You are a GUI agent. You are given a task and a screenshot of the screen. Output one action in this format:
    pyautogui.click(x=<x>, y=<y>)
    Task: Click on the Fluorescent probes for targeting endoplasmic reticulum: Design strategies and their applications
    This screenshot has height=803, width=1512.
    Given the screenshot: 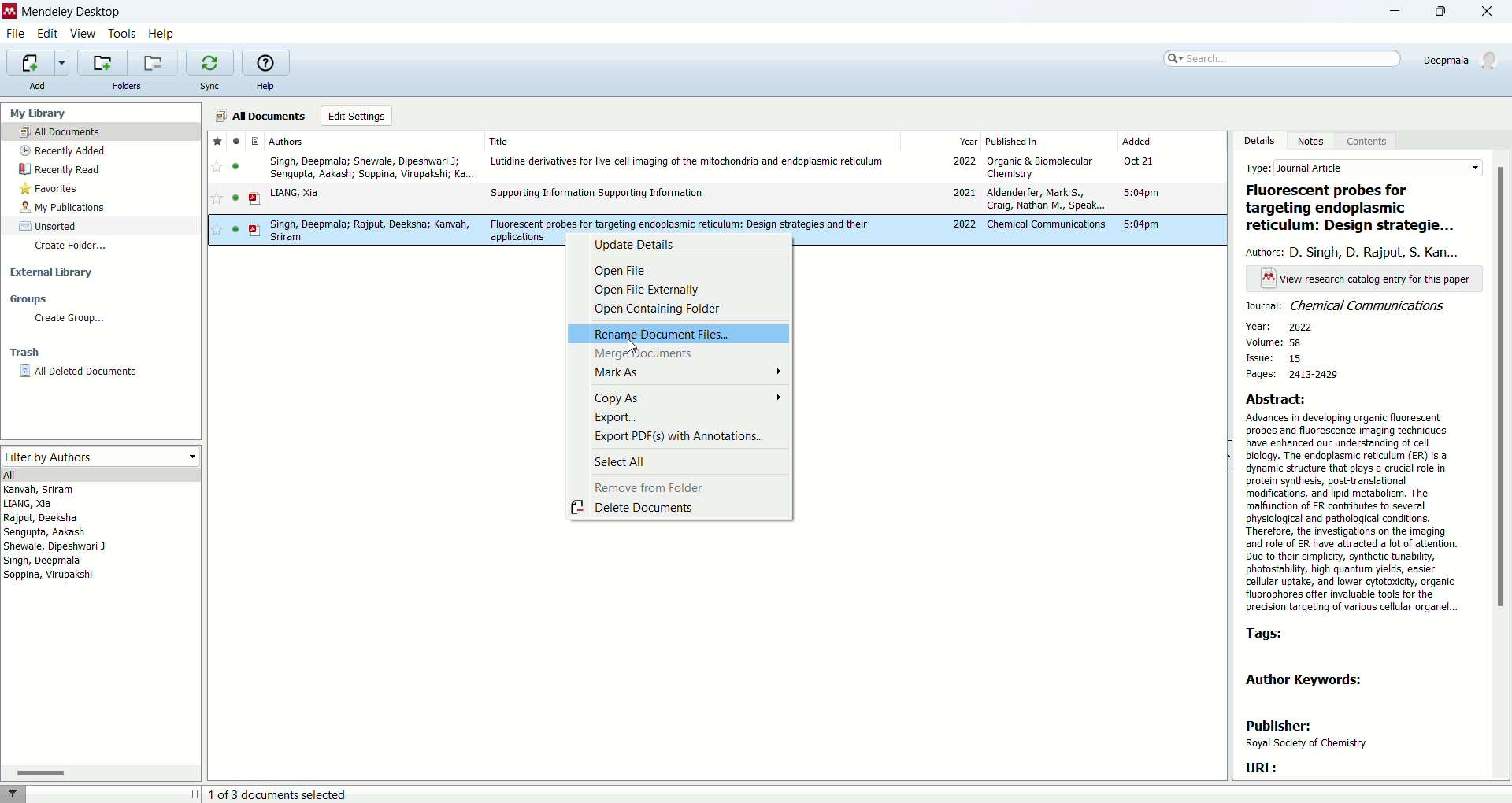 What is the action you would take?
    pyautogui.click(x=680, y=224)
    